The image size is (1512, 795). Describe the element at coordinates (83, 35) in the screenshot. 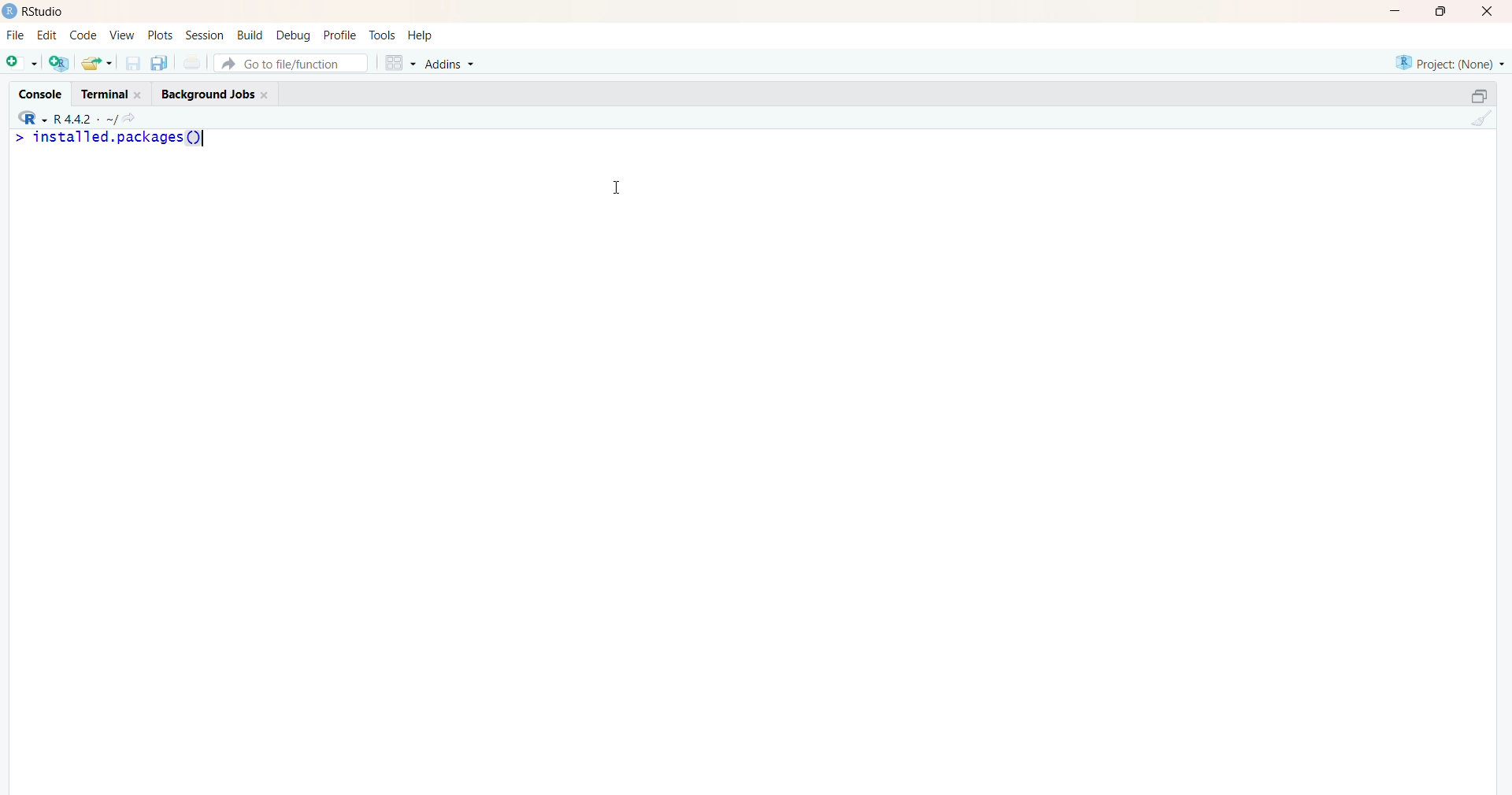

I see `code` at that location.